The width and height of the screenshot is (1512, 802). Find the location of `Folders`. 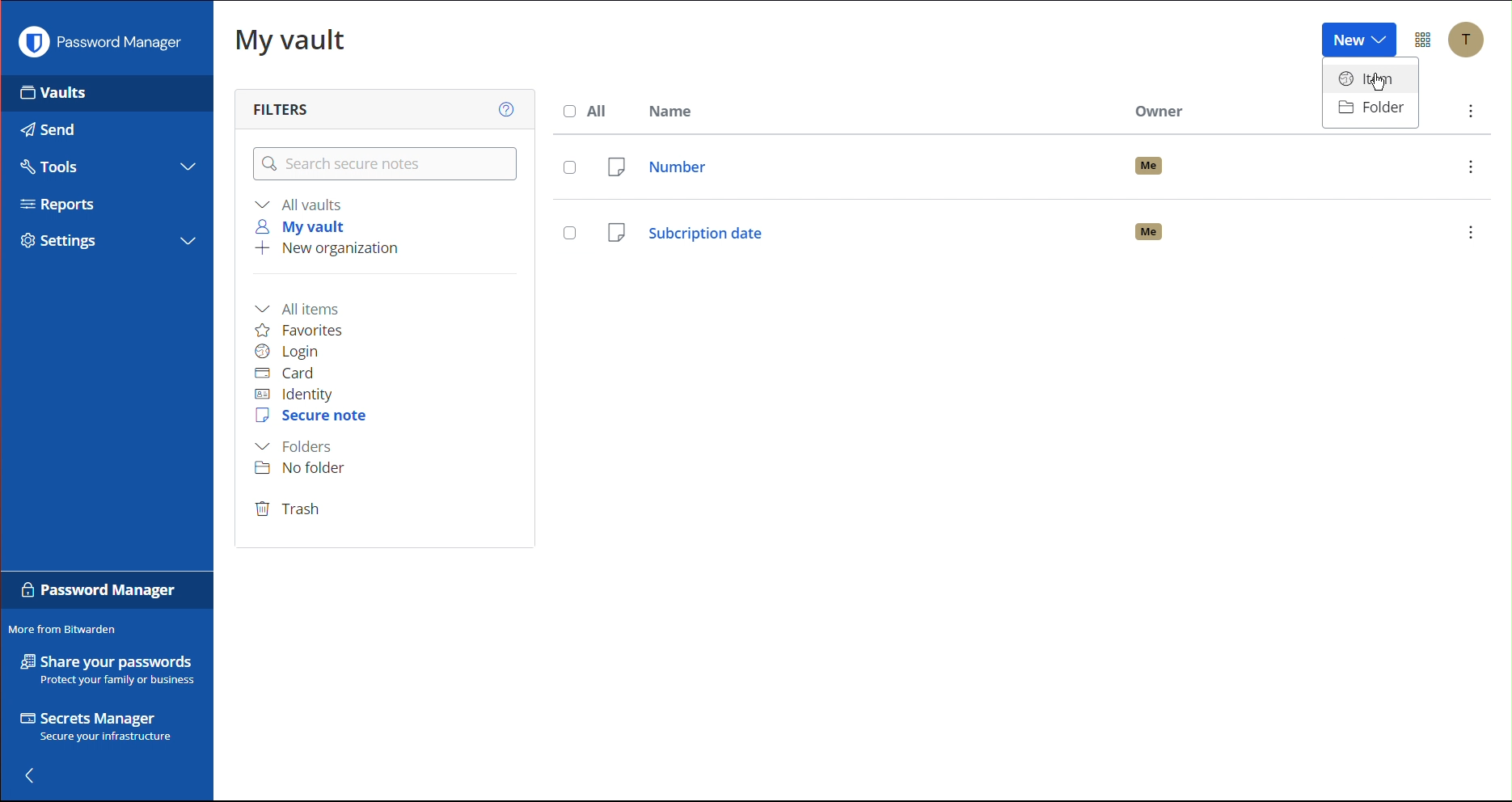

Folders is located at coordinates (298, 446).